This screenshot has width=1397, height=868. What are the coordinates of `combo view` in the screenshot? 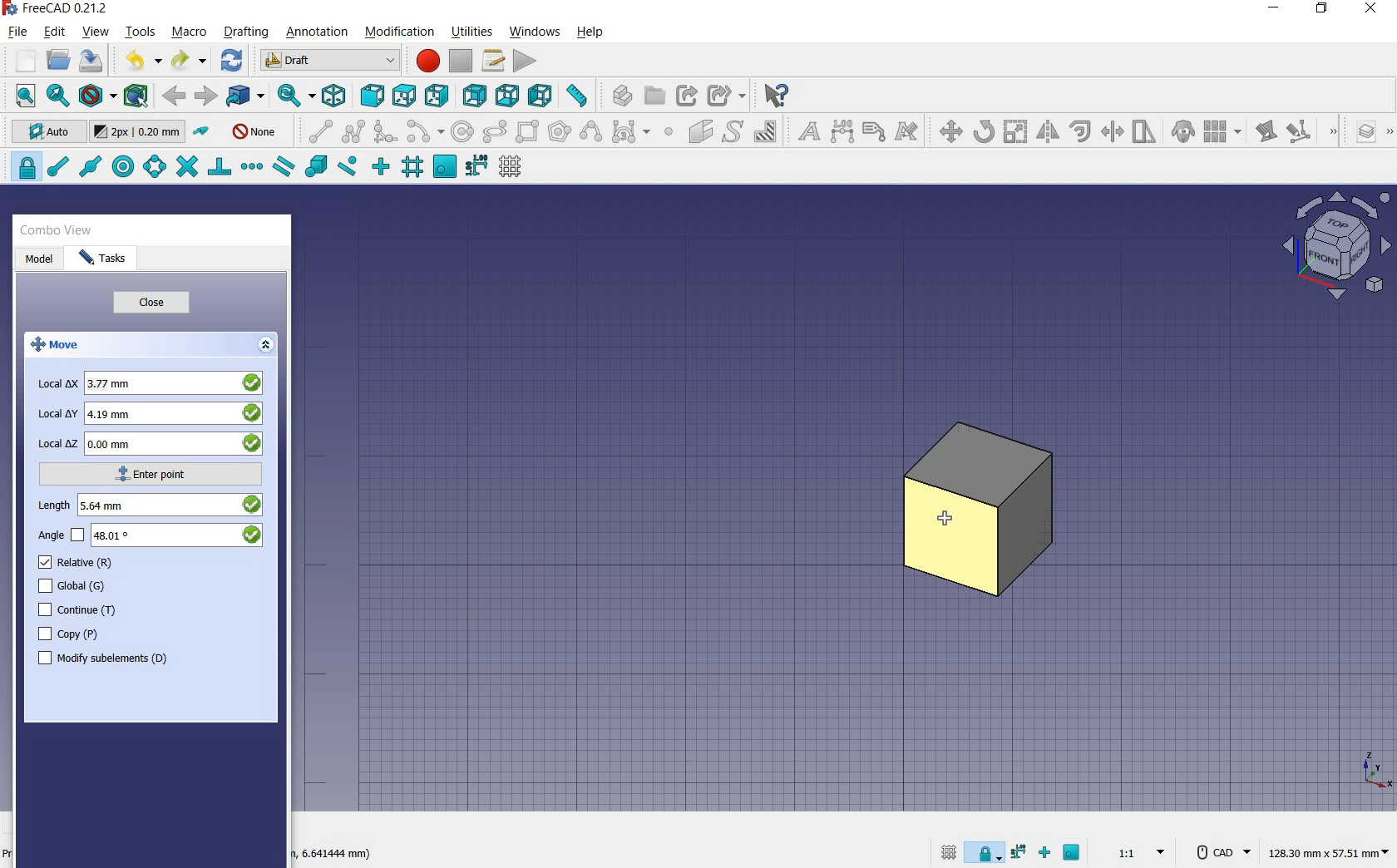 It's located at (57, 232).